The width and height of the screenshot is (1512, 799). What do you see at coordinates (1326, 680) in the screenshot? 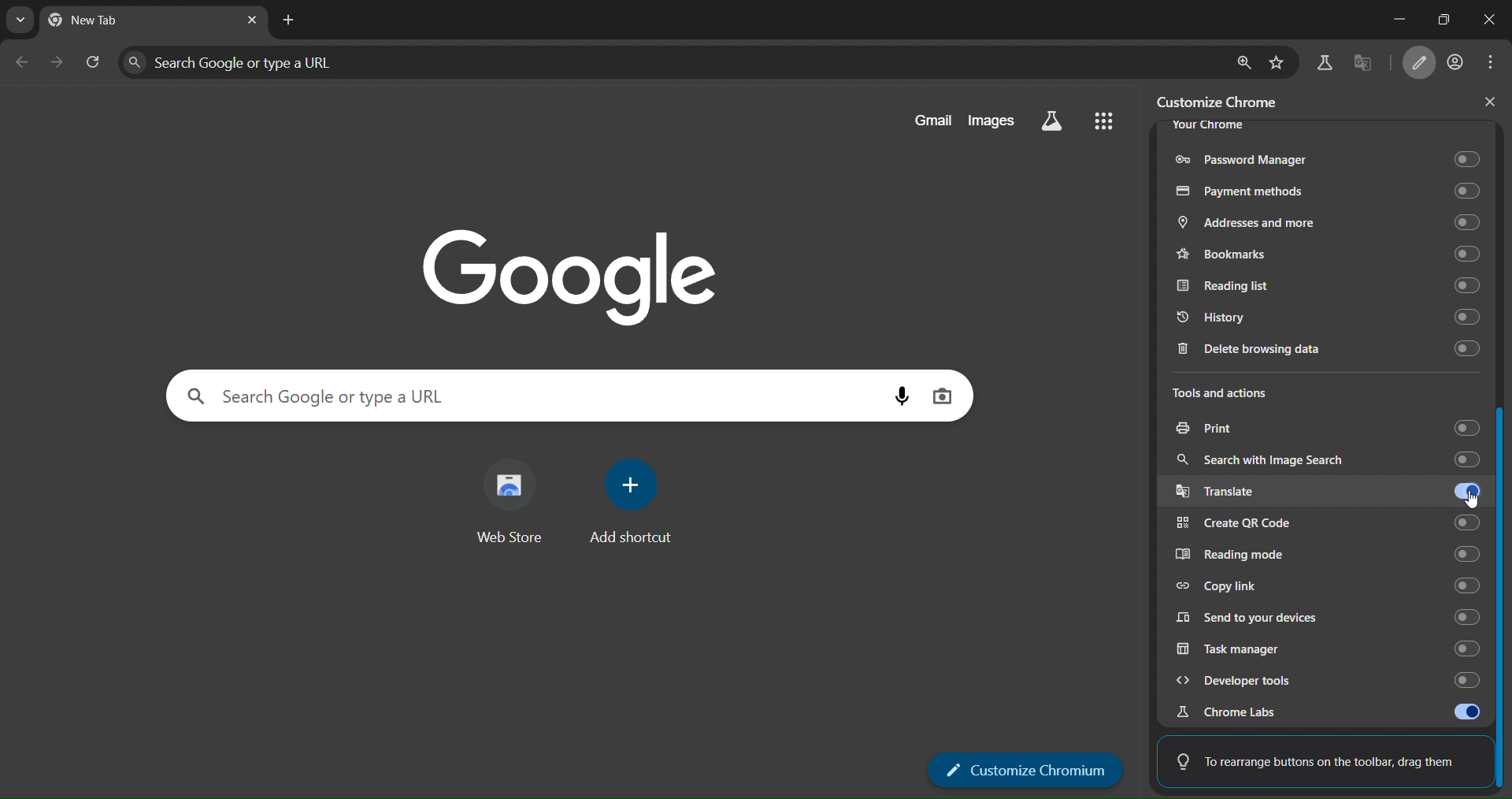
I see `developer tools` at bounding box center [1326, 680].